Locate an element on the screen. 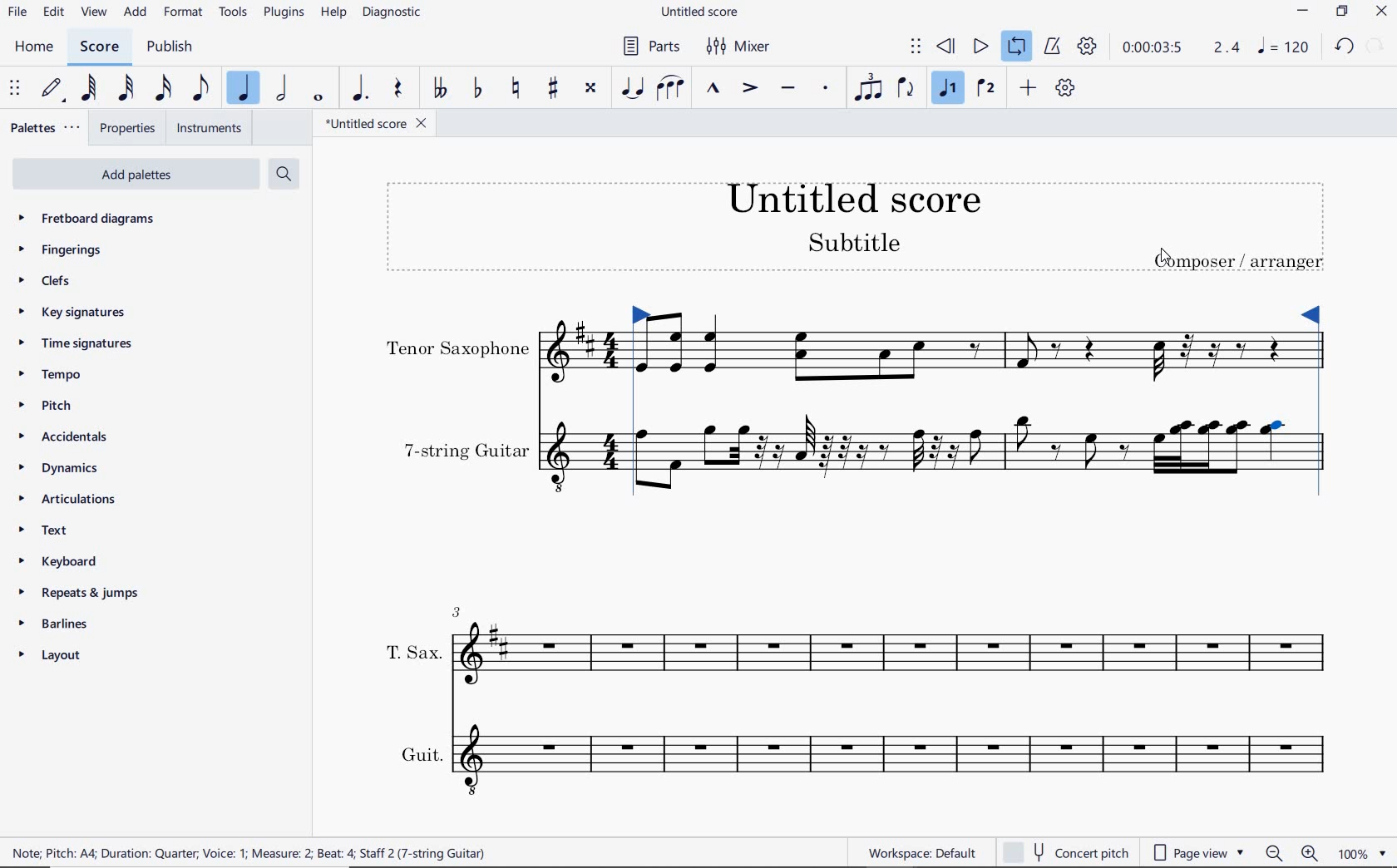 This screenshot has width=1397, height=868. KEYBOARD is located at coordinates (56, 560).